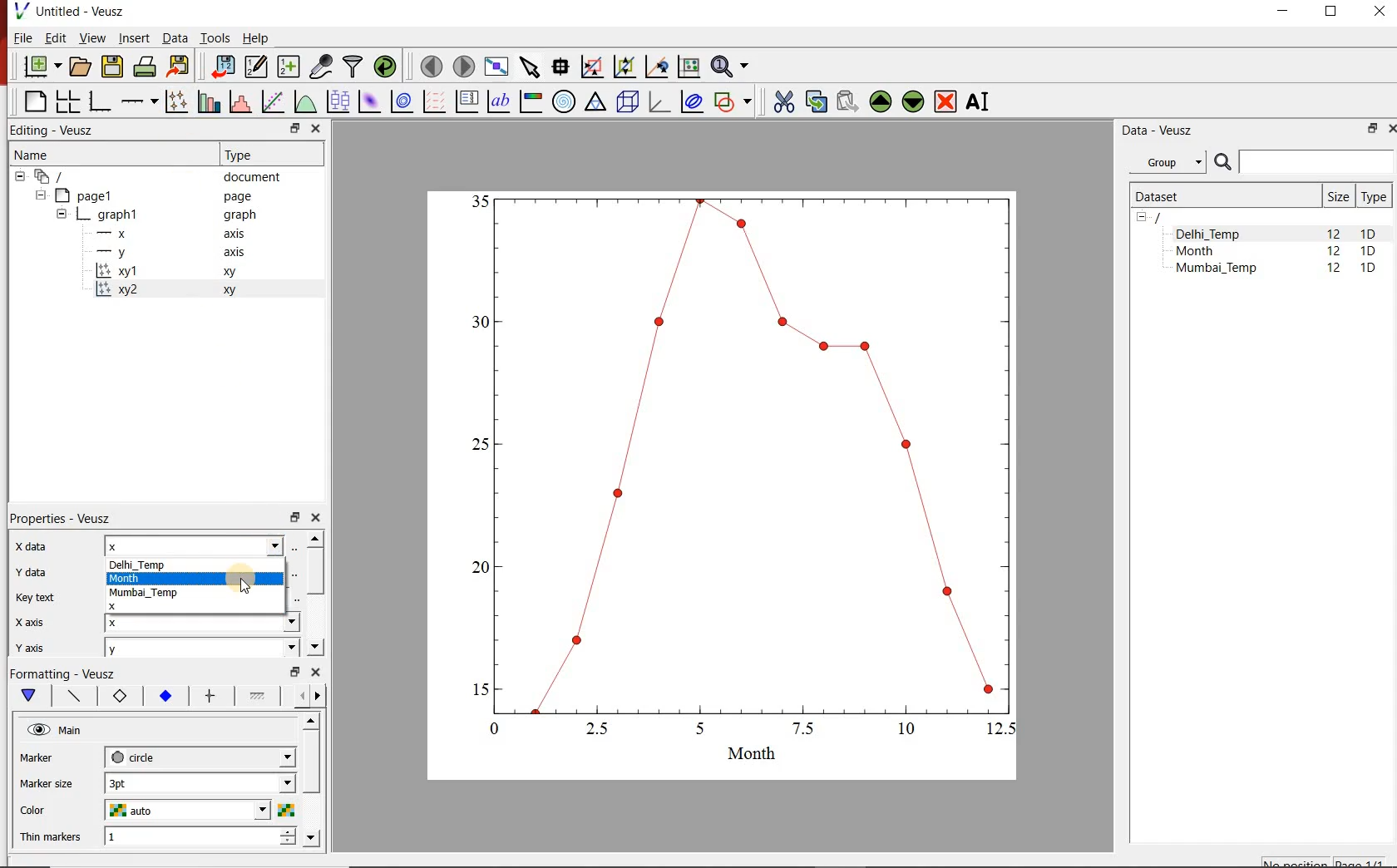 The height and width of the screenshot is (868, 1397). I want to click on move to the previous page, so click(431, 66).